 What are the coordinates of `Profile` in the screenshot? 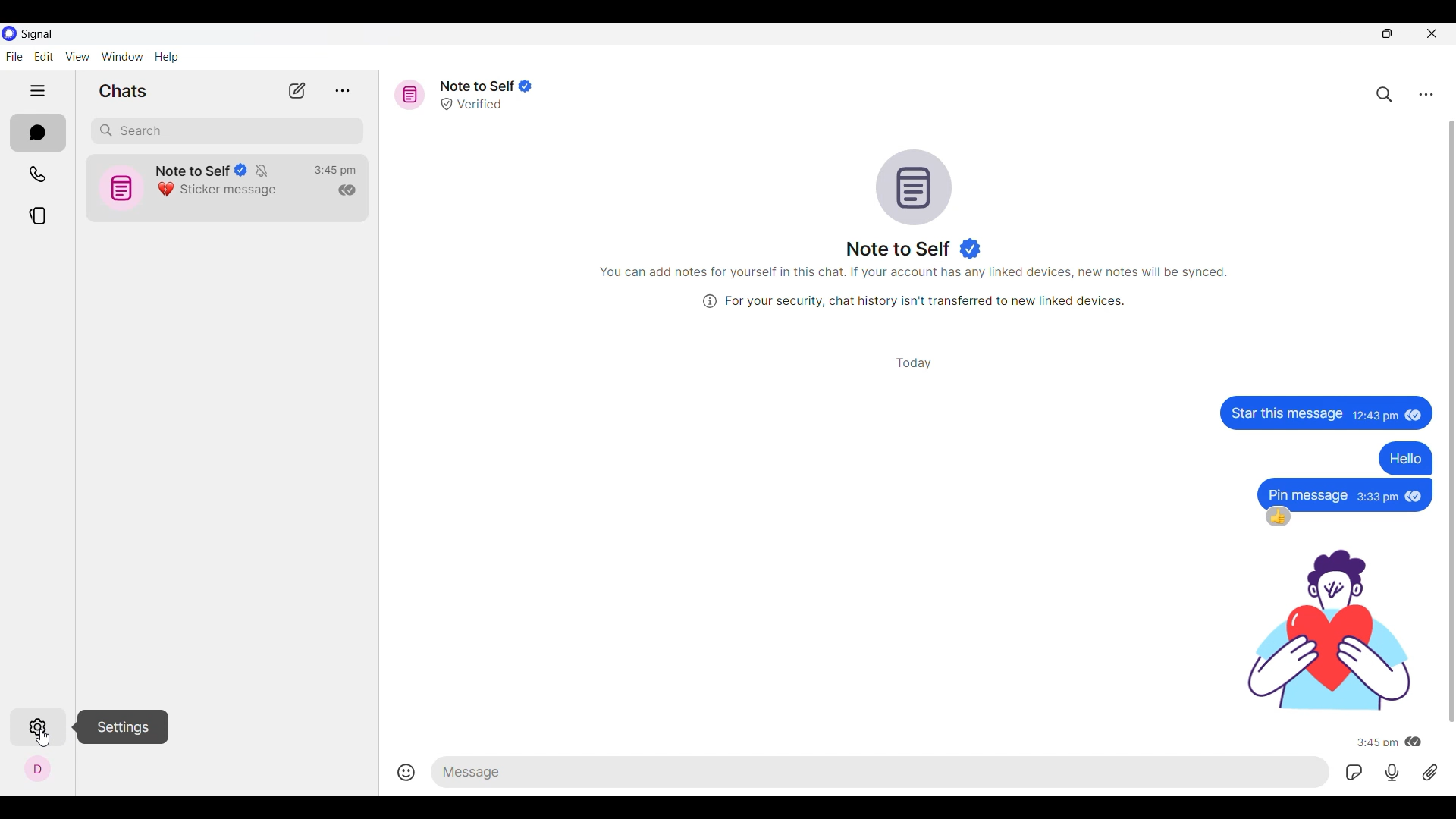 It's located at (37, 769).